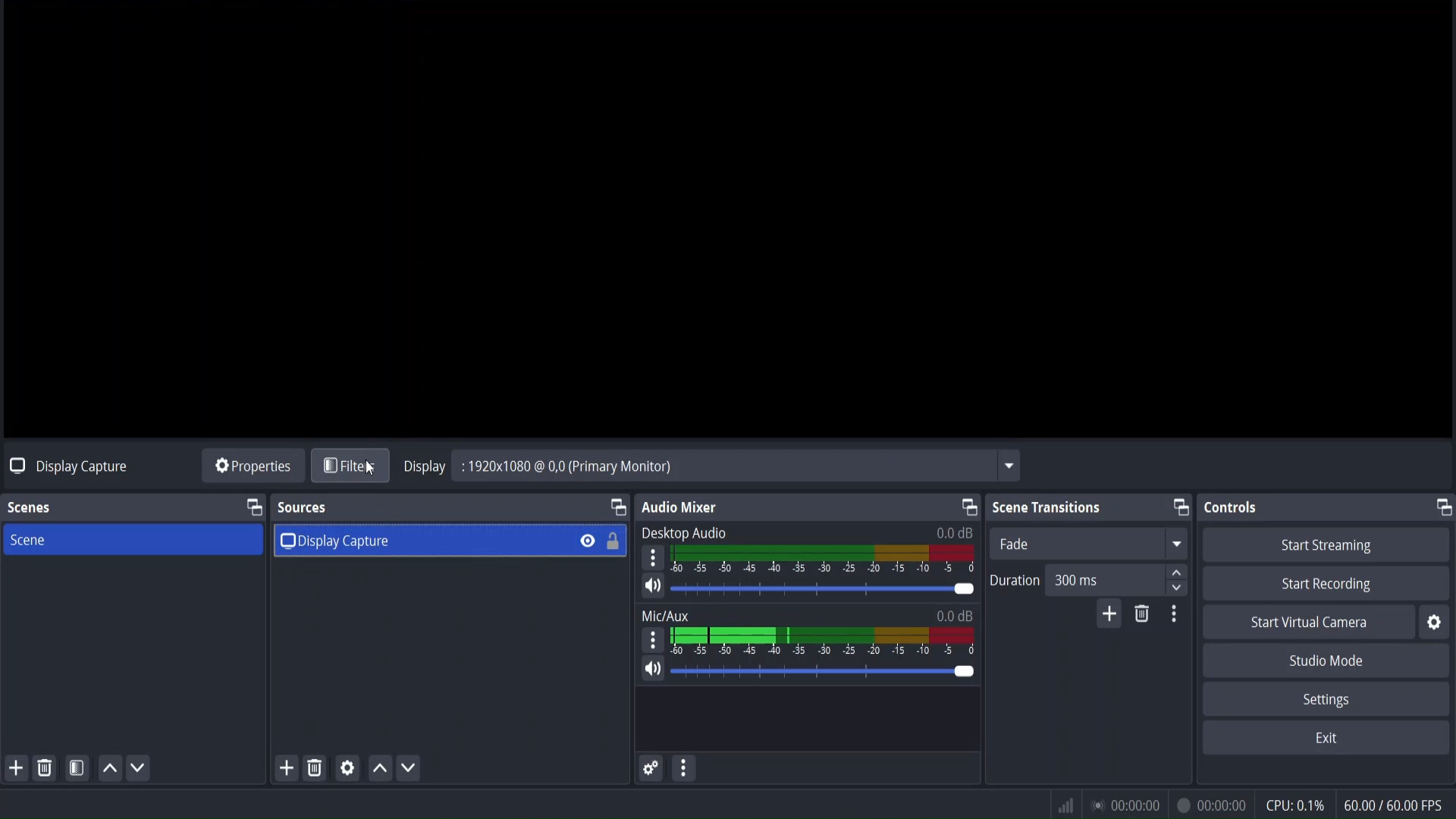  What do you see at coordinates (686, 532) in the screenshot?
I see `Desktop Audio` at bounding box center [686, 532].